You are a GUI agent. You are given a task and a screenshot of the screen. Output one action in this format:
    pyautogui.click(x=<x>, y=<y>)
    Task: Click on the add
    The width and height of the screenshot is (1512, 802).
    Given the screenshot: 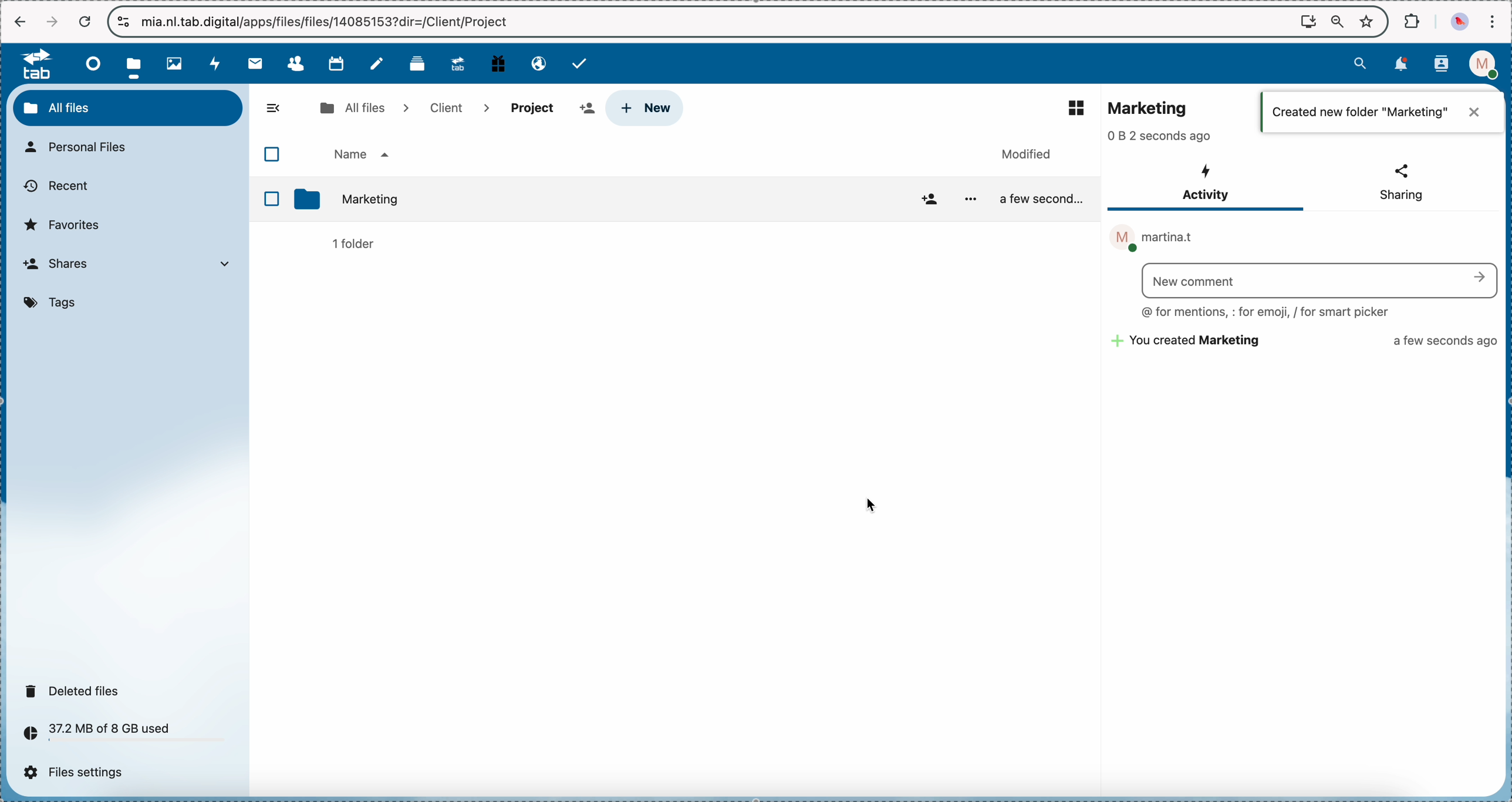 What is the action you would take?
    pyautogui.click(x=925, y=200)
    